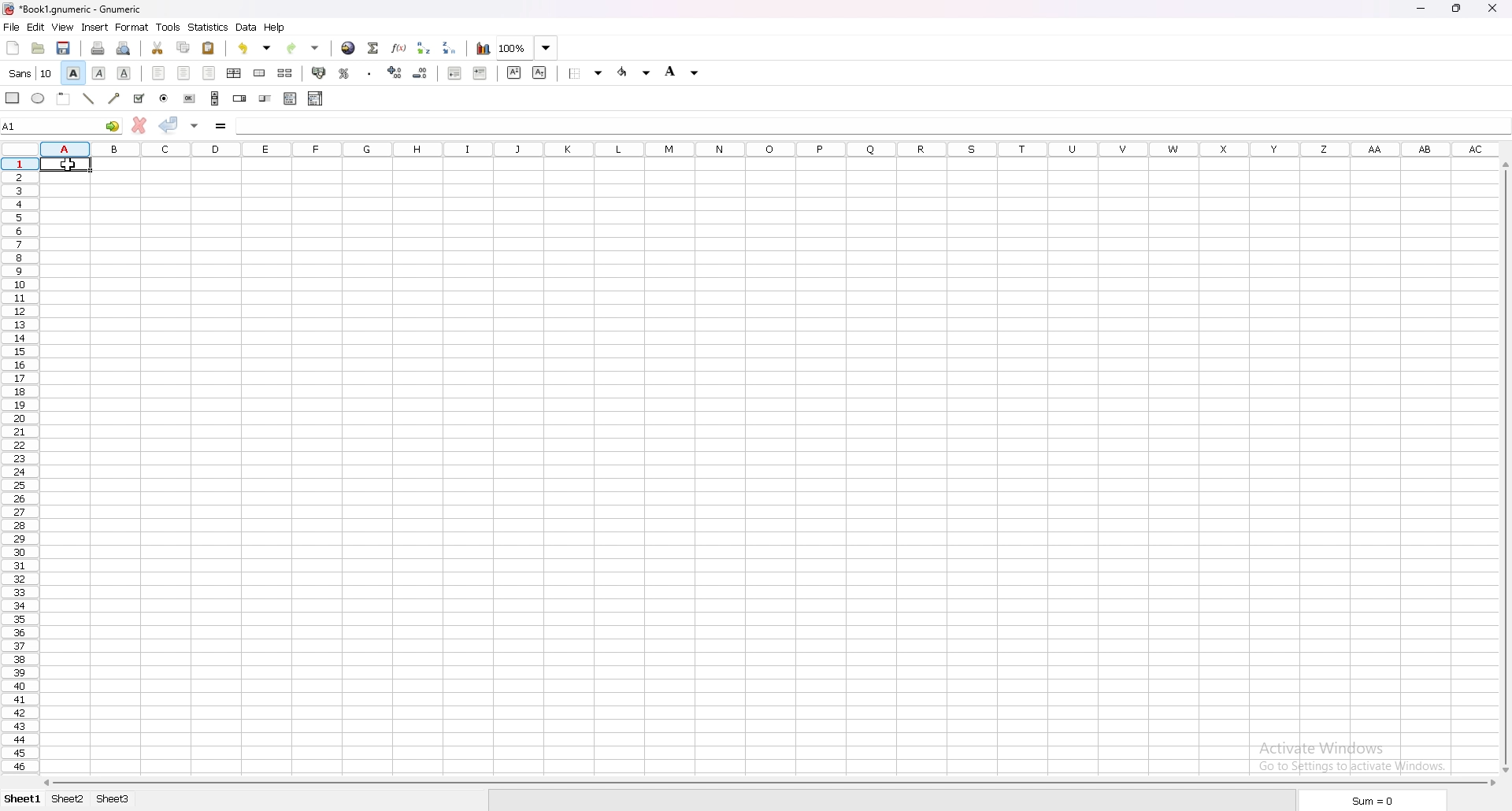 The height and width of the screenshot is (811, 1512). Describe the element at coordinates (209, 27) in the screenshot. I see `statistics` at that location.